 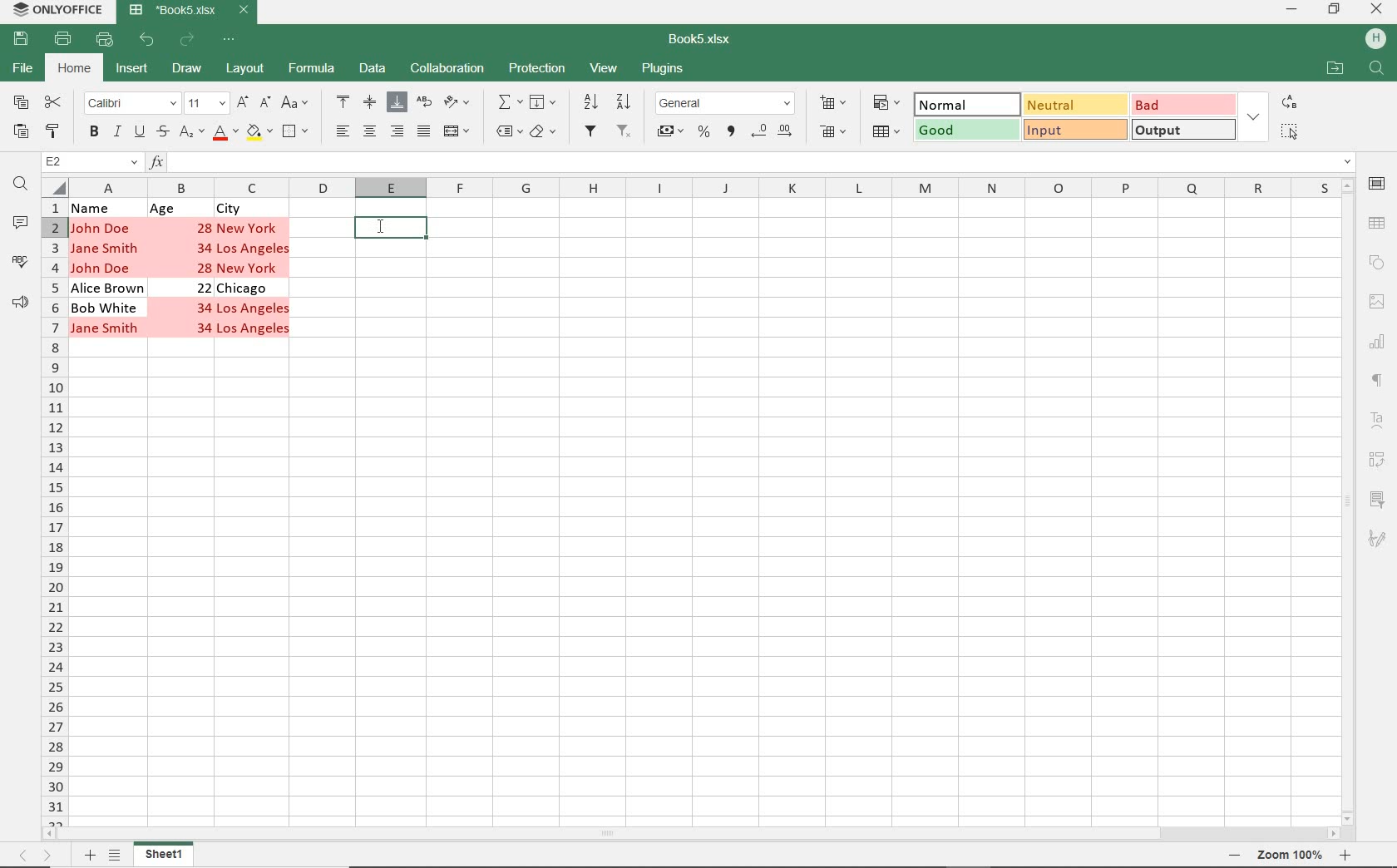 I want to click on FORMULA, so click(x=312, y=72).